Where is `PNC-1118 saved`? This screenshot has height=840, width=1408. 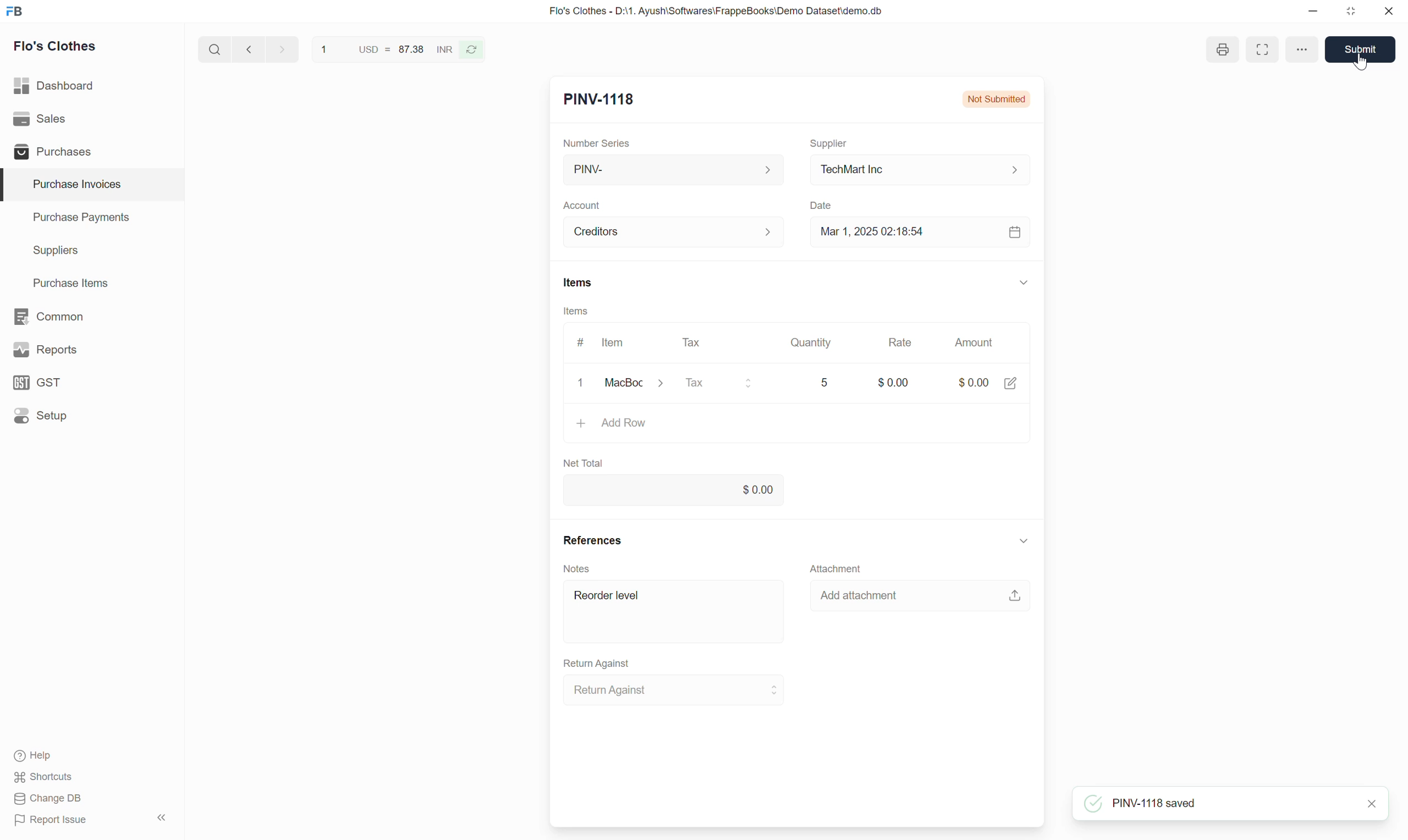
PNC-1118 saved is located at coordinates (1150, 803).